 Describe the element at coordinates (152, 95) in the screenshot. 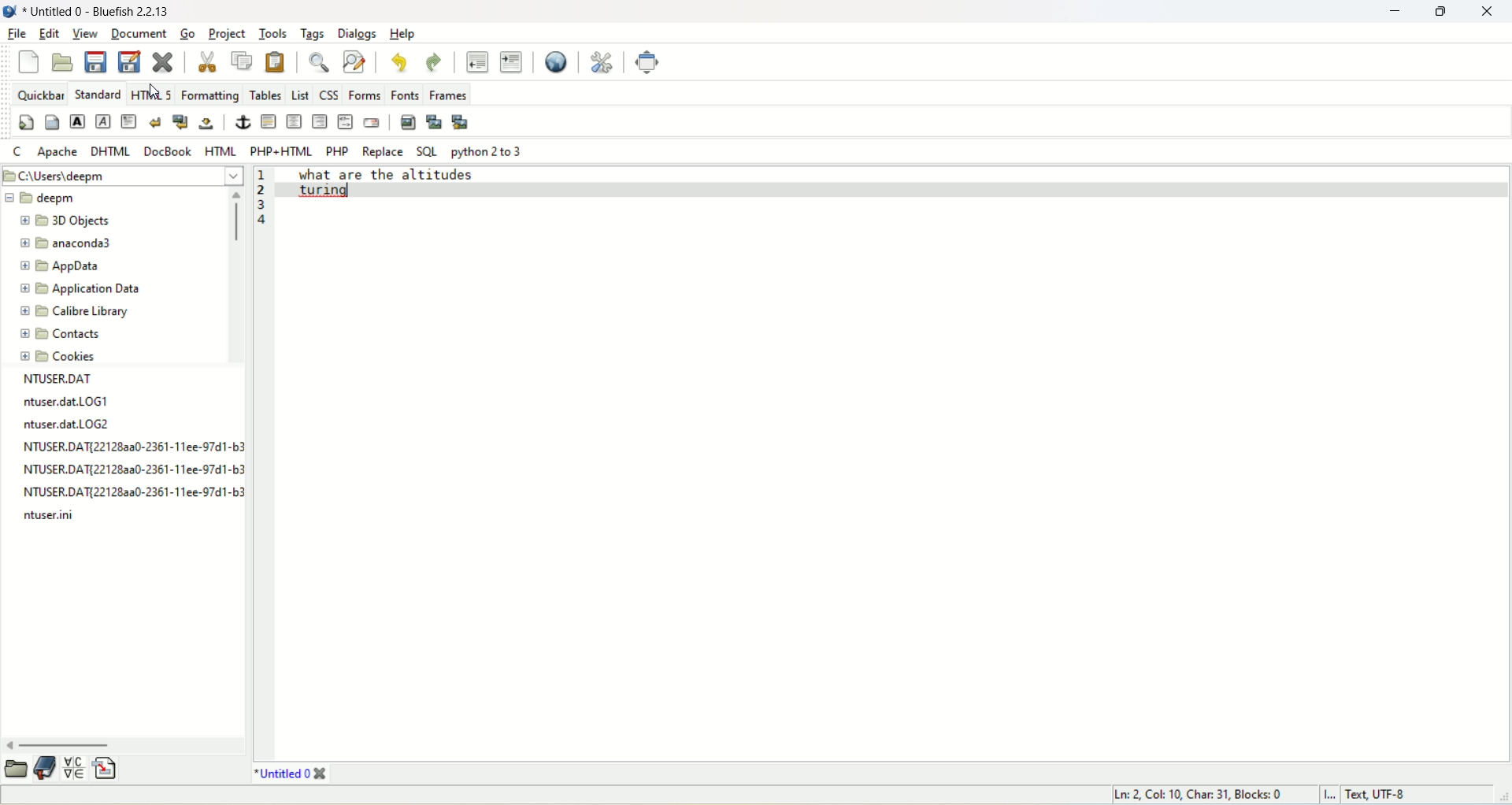

I see `HTML` at that location.